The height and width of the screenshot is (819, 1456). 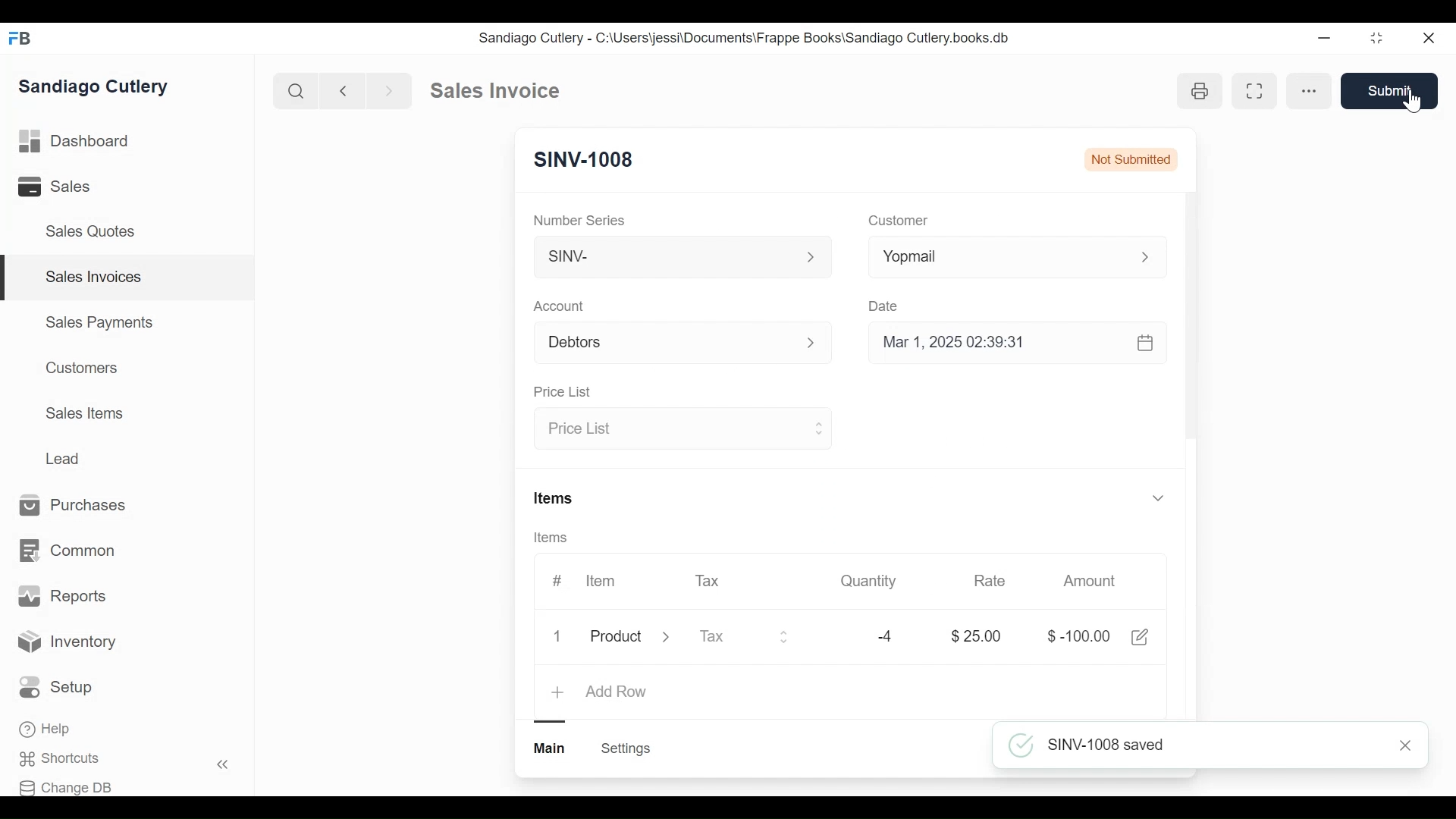 I want to click on Edit, so click(x=1139, y=637).